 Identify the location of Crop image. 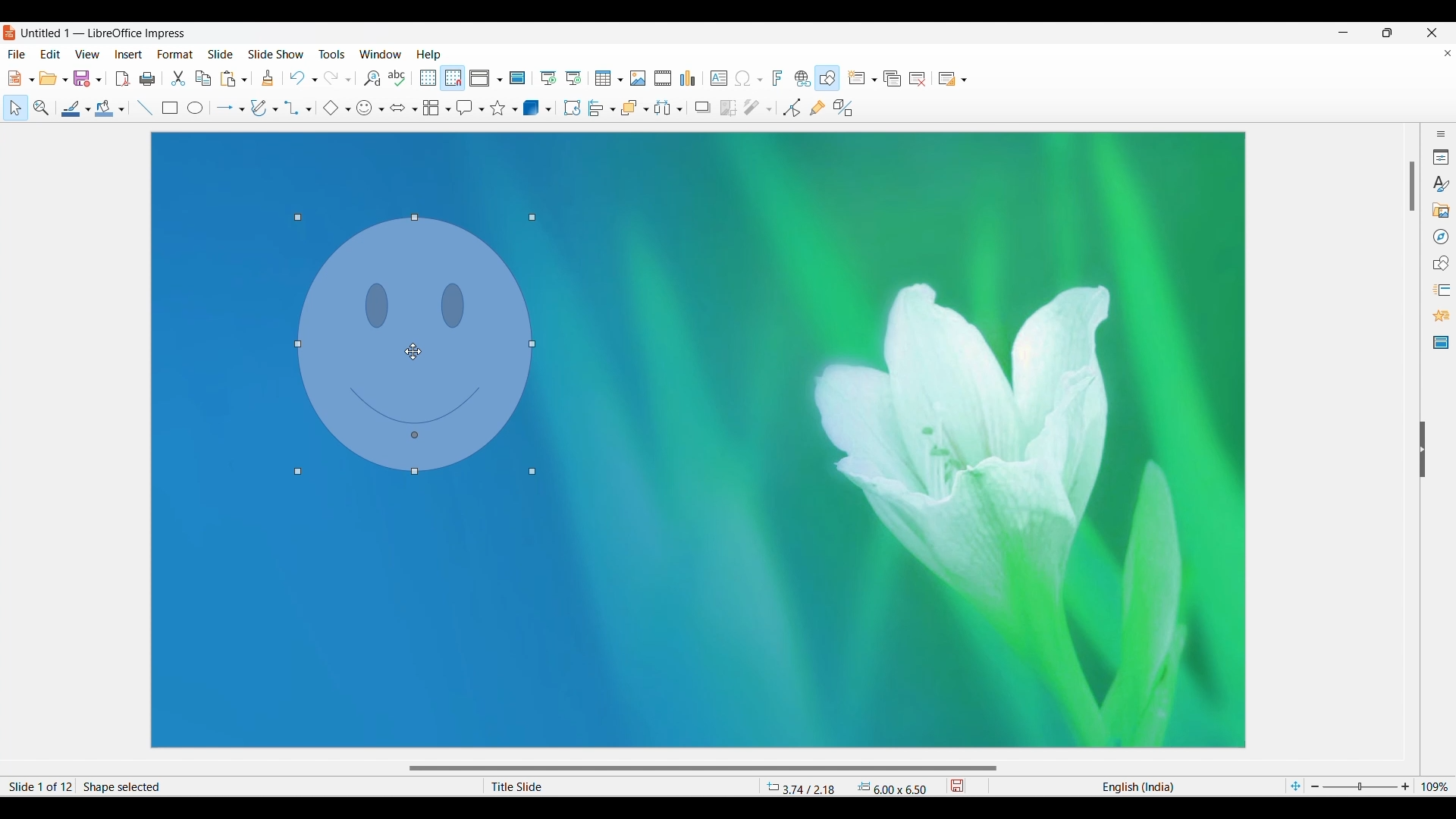
(728, 108).